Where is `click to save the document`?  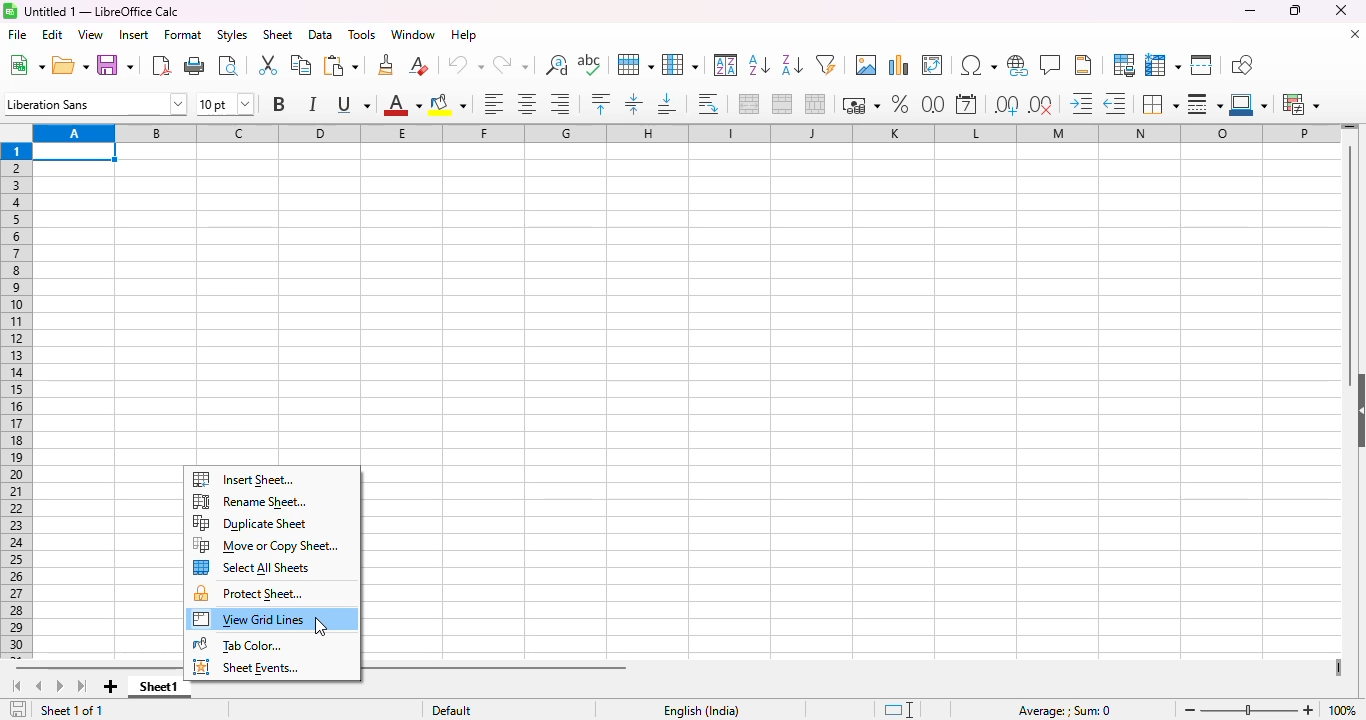
click to save the document is located at coordinates (18, 709).